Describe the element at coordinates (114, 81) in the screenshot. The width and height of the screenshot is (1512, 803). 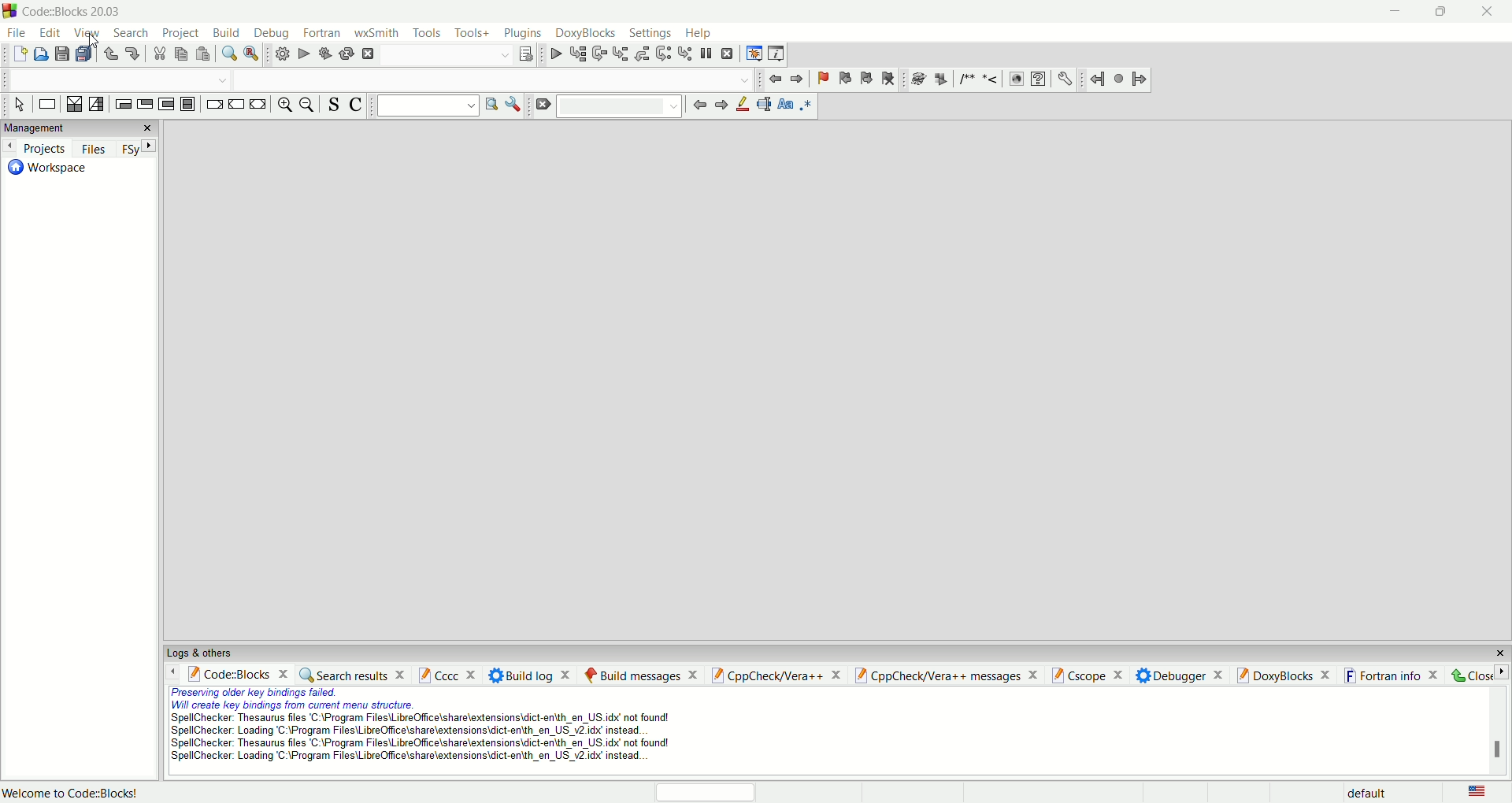
I see `Code completion compiler` at that location.